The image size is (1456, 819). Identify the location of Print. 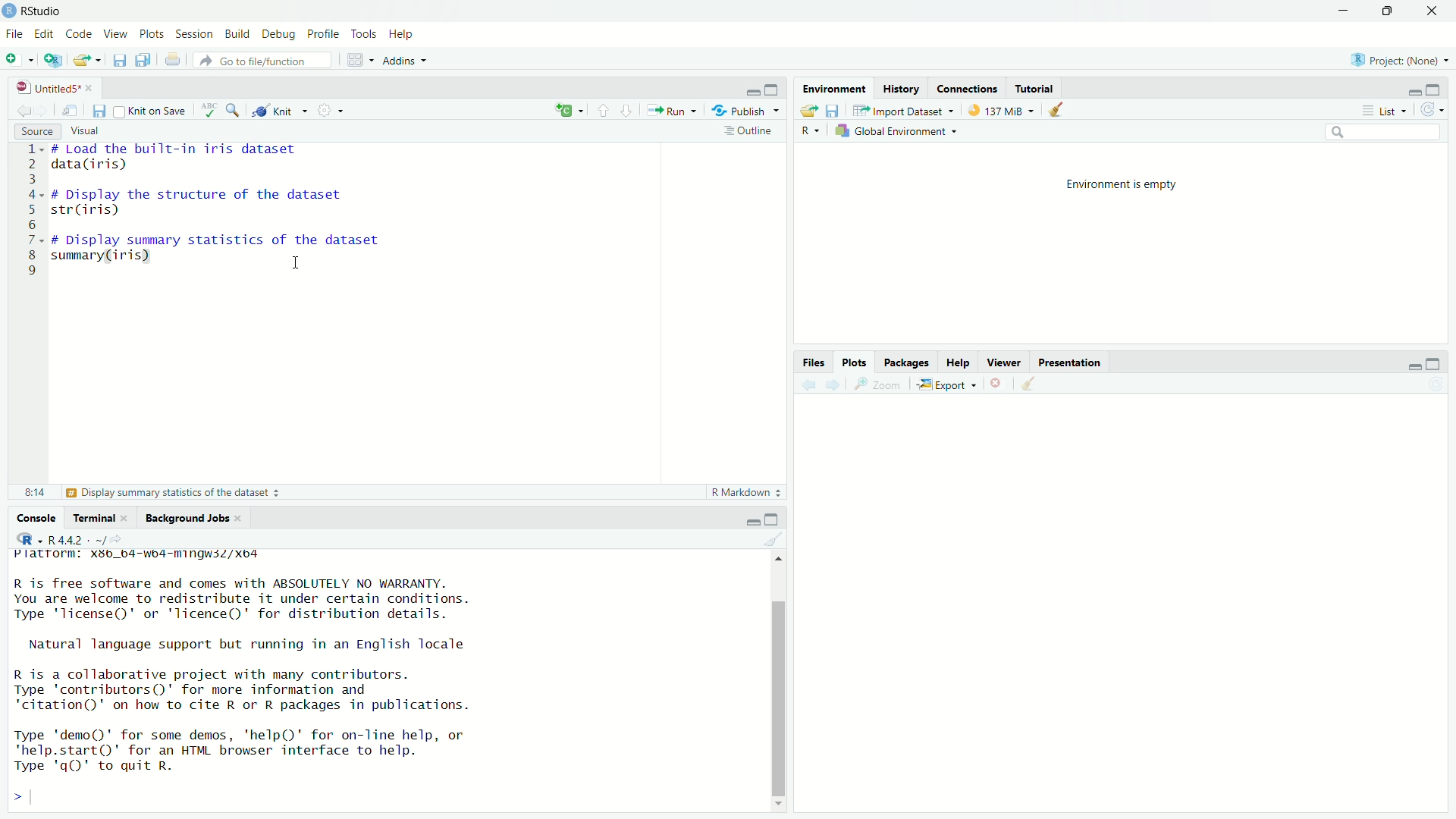
(172, 58).